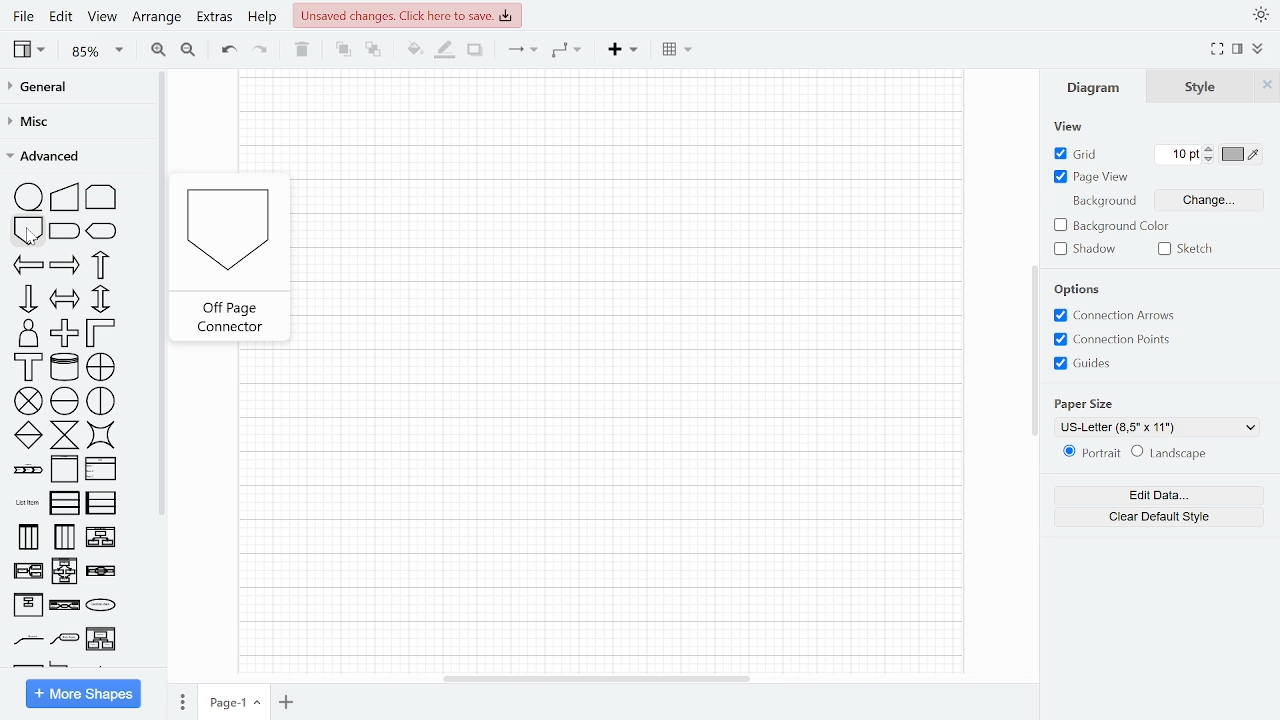 This screenshot has width=1280, height=720. I want to click on Shadow, so click(475, 52).